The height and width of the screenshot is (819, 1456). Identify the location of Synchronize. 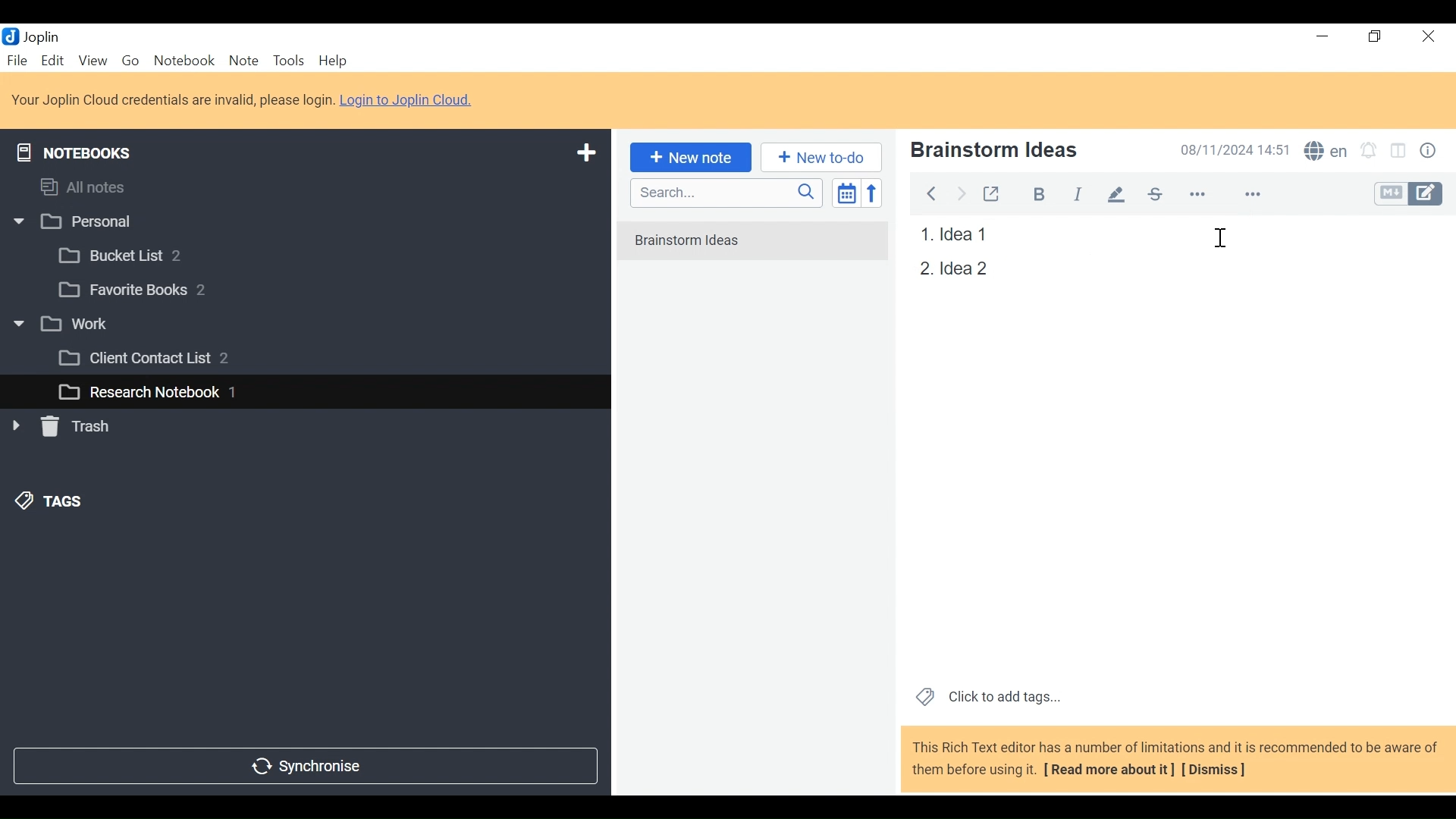
(304, 764).